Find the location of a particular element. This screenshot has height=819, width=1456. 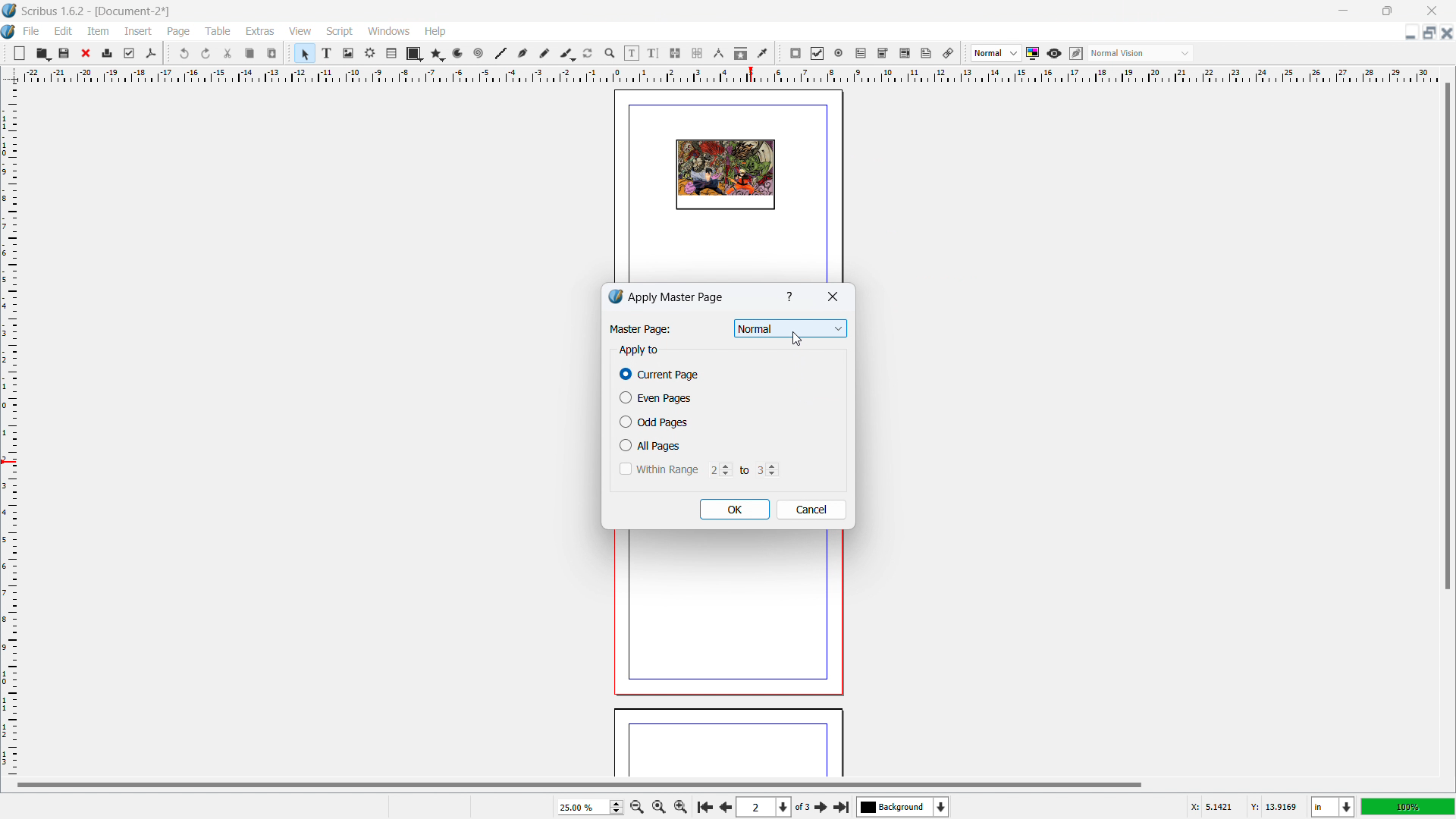

horizontal ruler is located at coordinates (730, 74).